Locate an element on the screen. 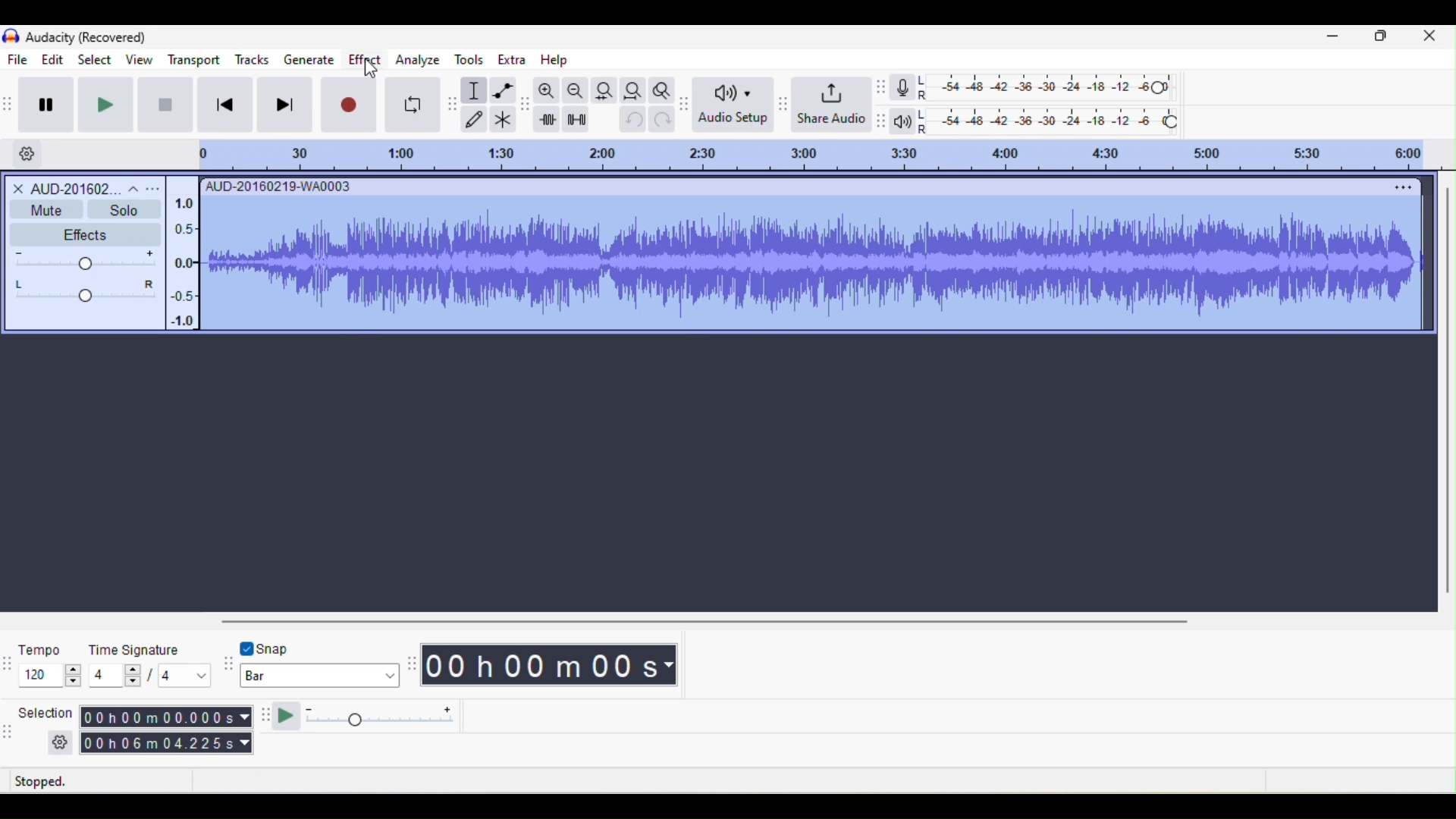  playback level is located at coordinates (1049, 119).